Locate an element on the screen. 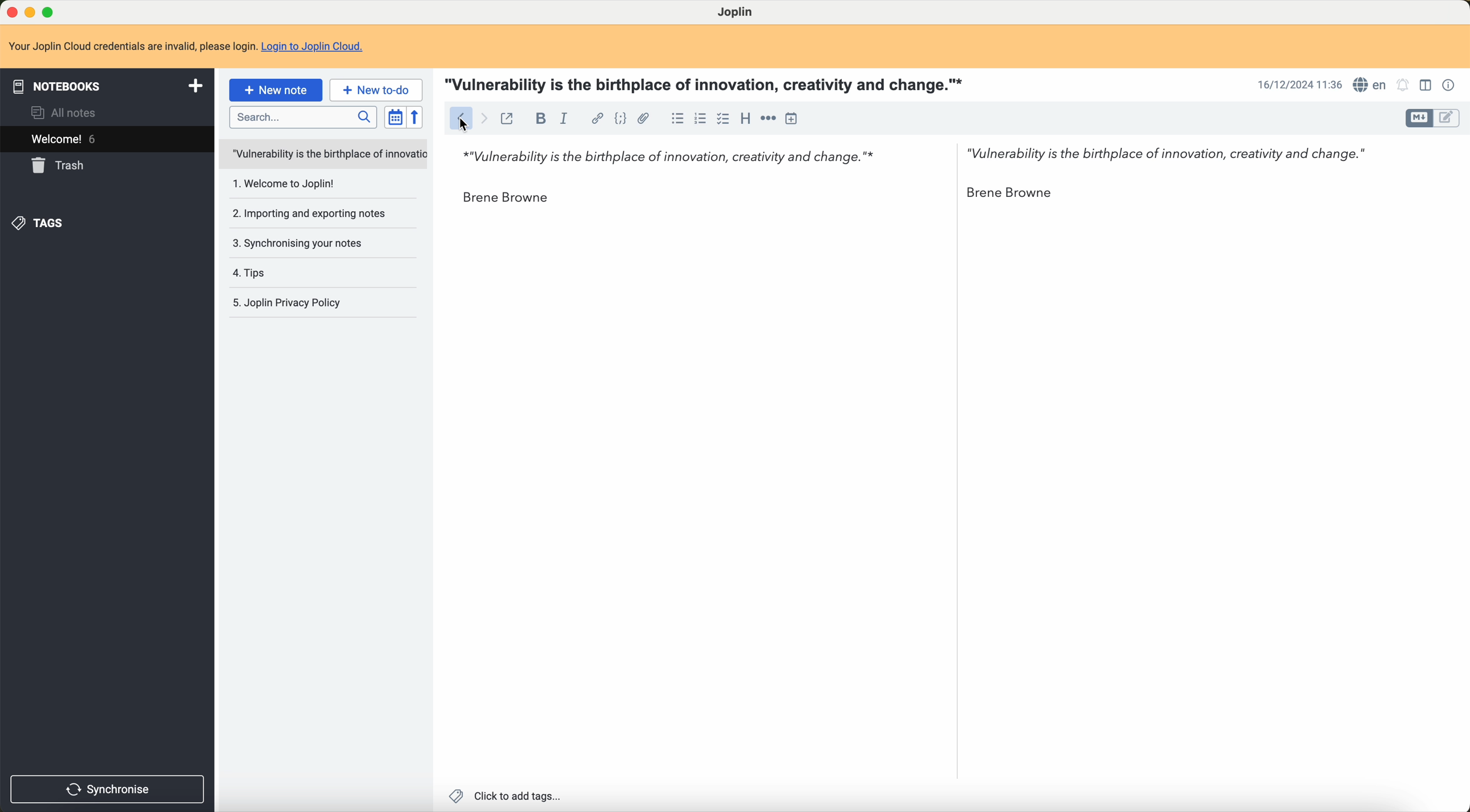 The width and height of the screenshot is (1470, 812). horizontal rule is located at coordinates (767, 117).